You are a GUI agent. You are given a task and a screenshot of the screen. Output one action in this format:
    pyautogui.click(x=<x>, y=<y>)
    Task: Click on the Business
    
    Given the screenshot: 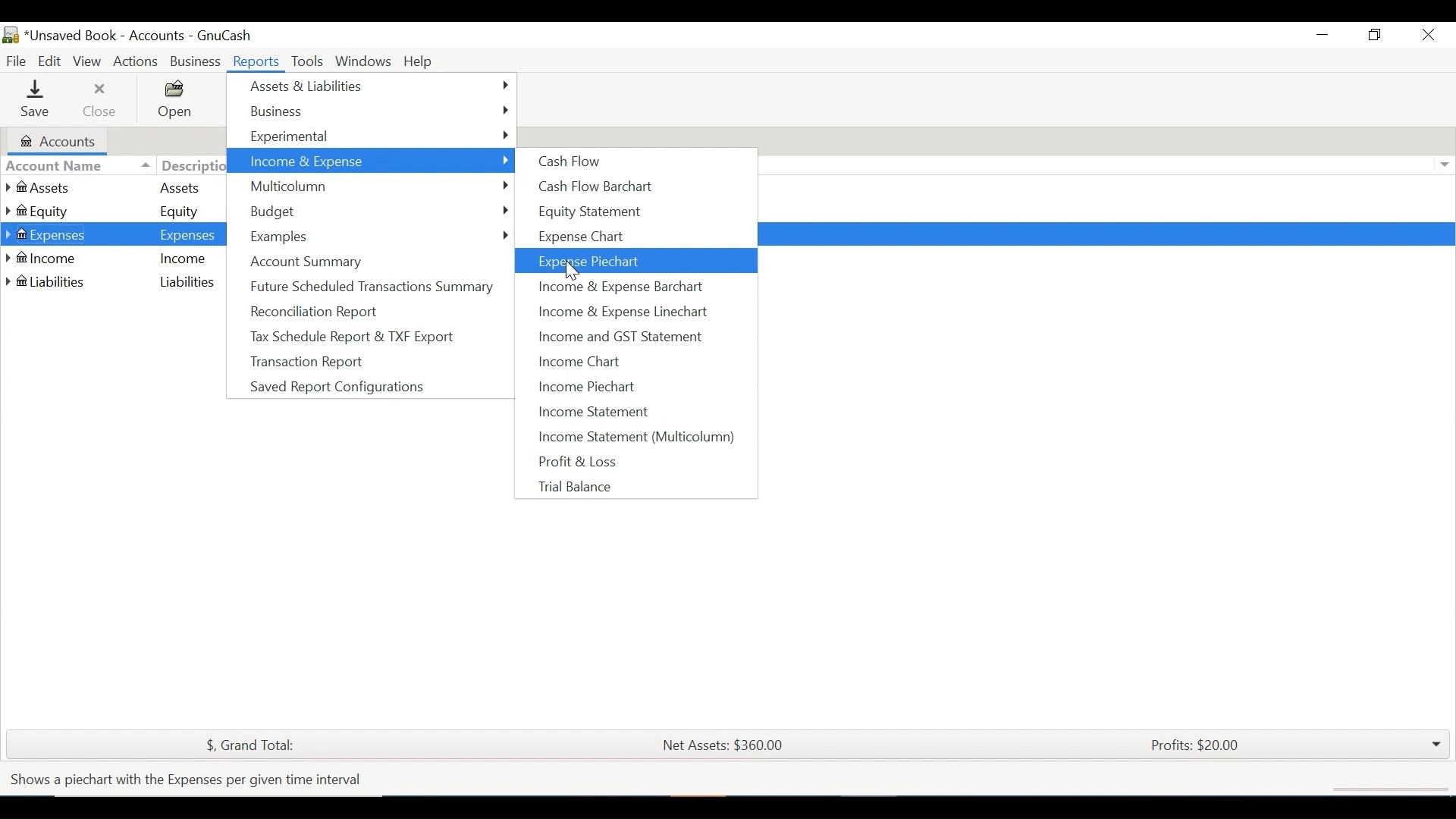 What is the action you would take?
    pyautogui.click(x=196, y=58)
    